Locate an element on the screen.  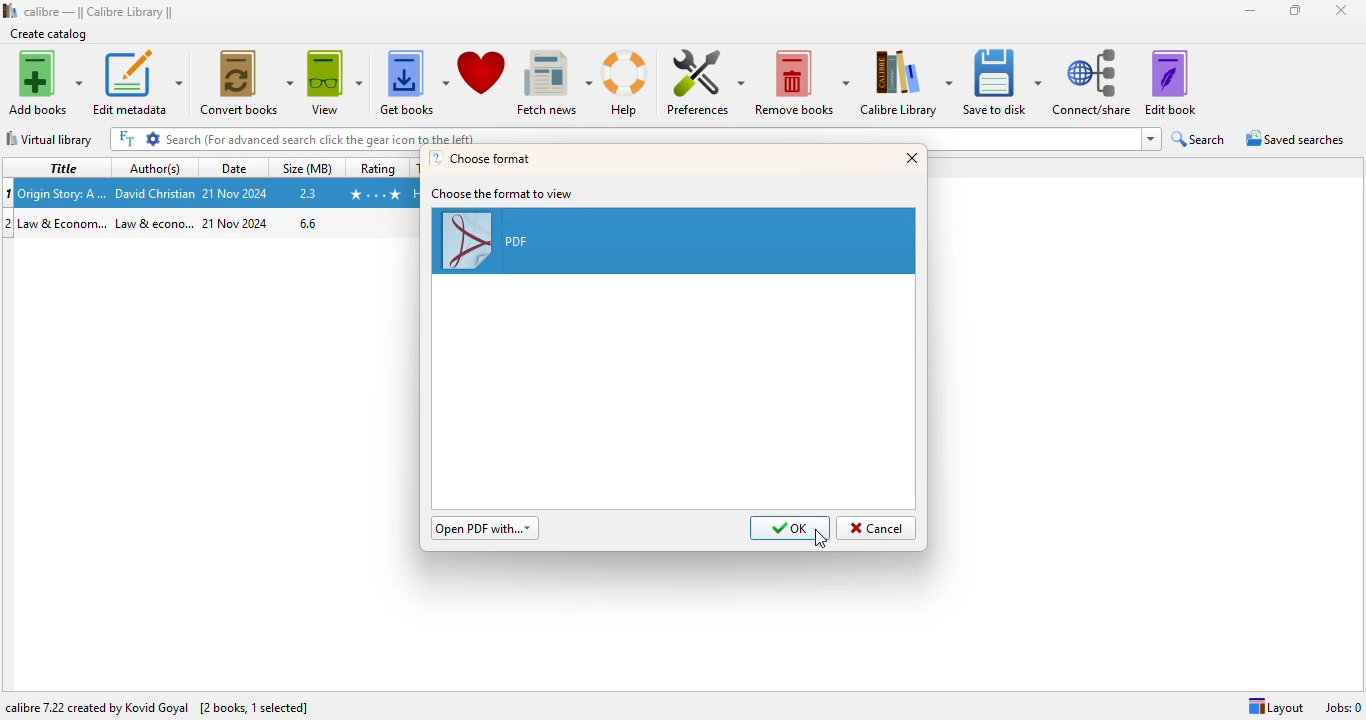
Layout is located at coordinates (1275, 707).